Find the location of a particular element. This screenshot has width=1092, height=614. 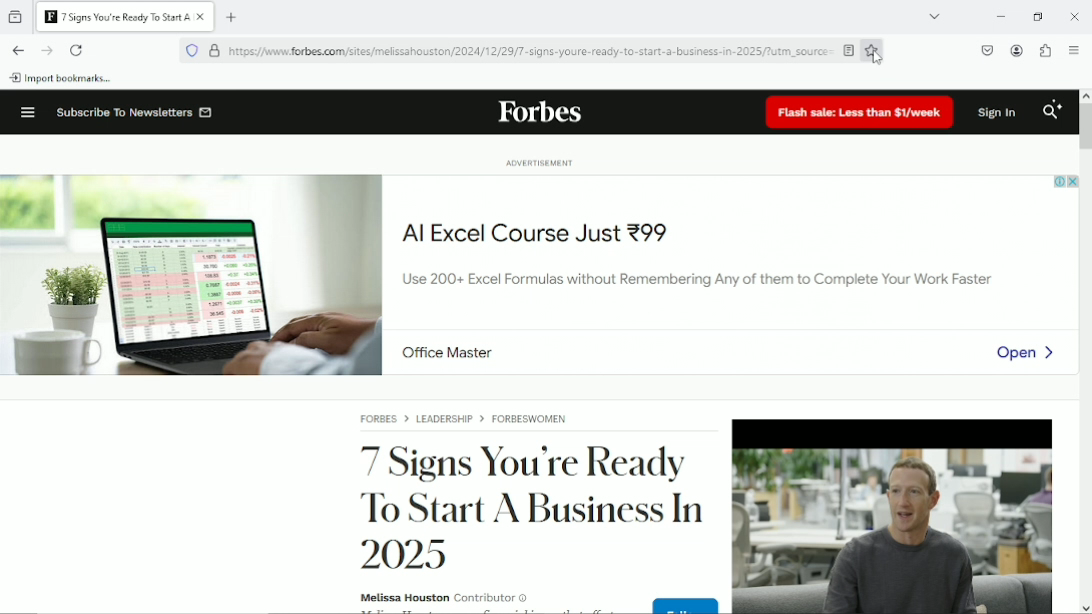

open application menu is located at coordinates (1073, 49).